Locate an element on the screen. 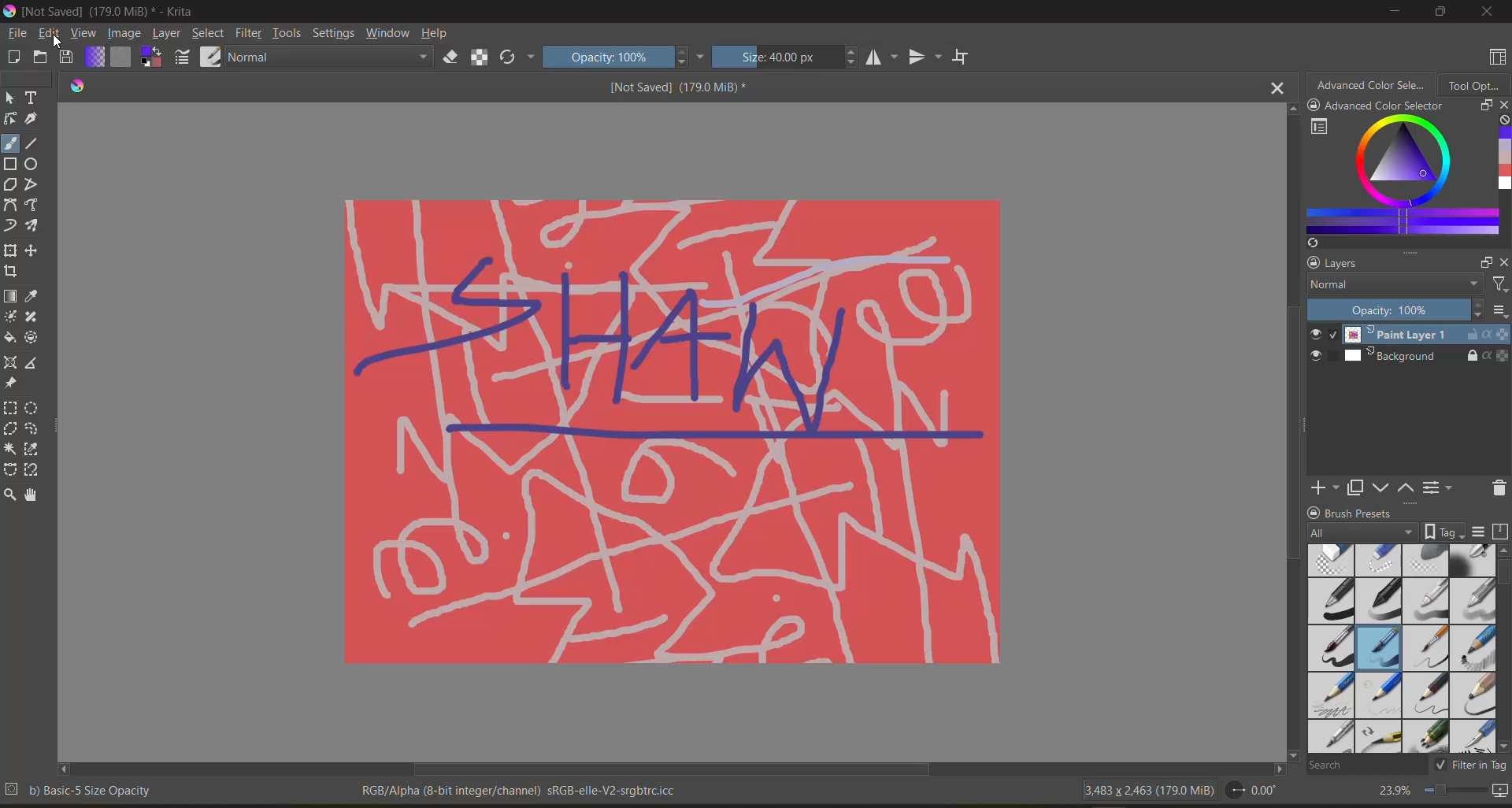  Ellipse tool is located at coordinates (33, 163).